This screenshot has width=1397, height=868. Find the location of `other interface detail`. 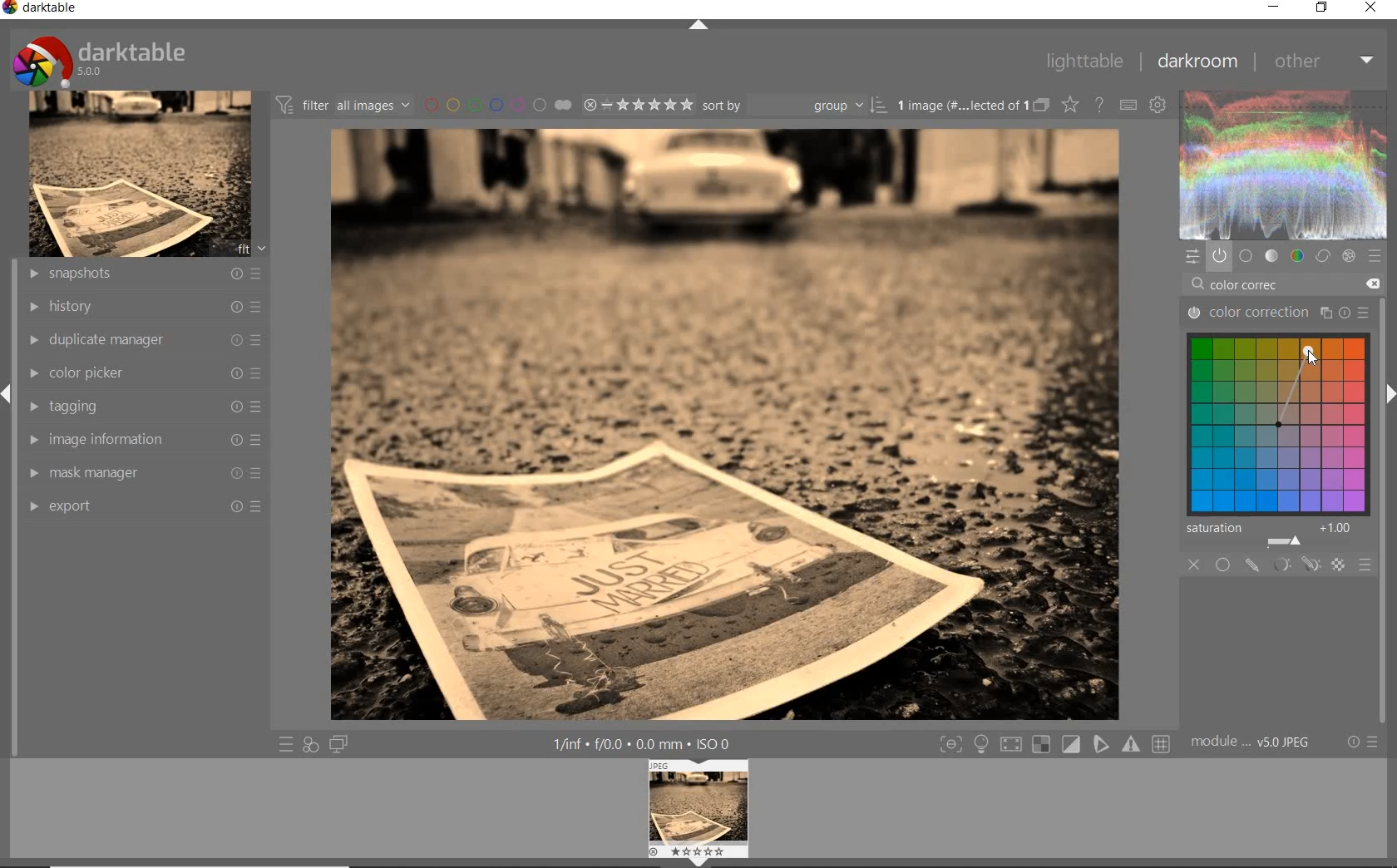

other interface detail is located at coordinates (642, 744).